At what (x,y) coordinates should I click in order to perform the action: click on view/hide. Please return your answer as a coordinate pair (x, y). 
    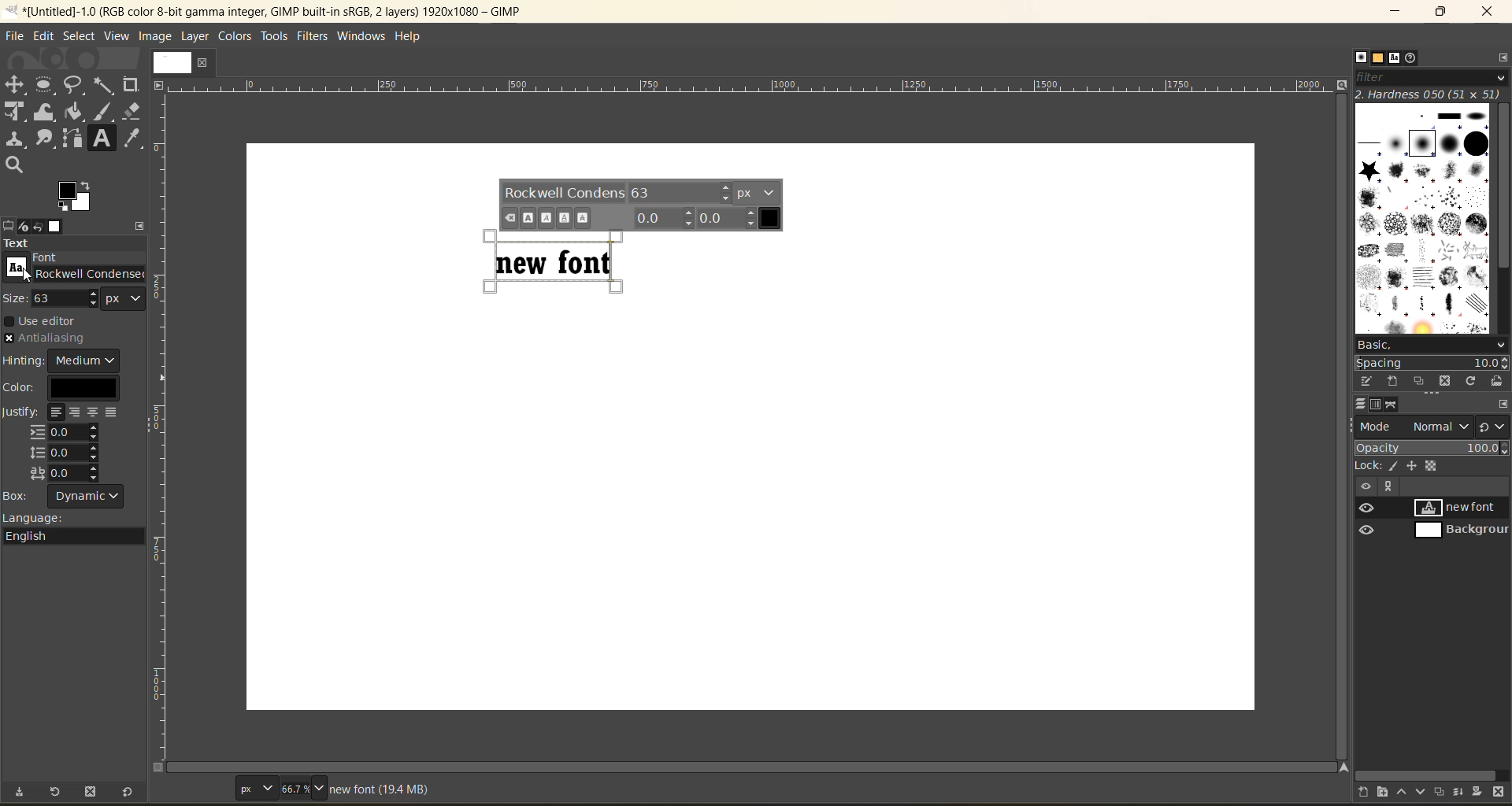
    Looking at the image, I should click on (1360, 519).